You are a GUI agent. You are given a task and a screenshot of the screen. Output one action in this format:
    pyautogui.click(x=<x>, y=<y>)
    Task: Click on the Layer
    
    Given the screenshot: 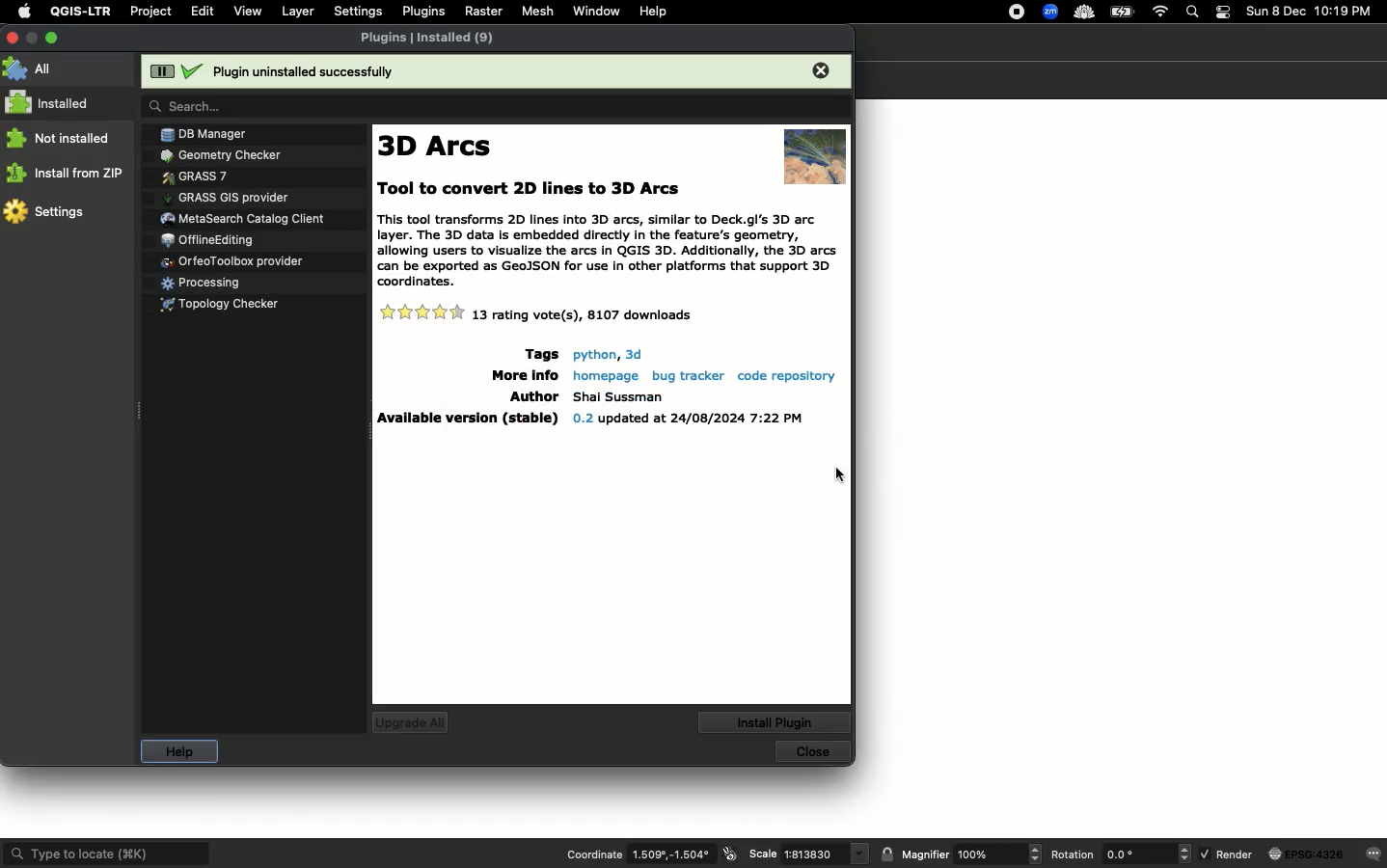 What is the action you would take?
    pyautogui.click(x=300, y=11)
    